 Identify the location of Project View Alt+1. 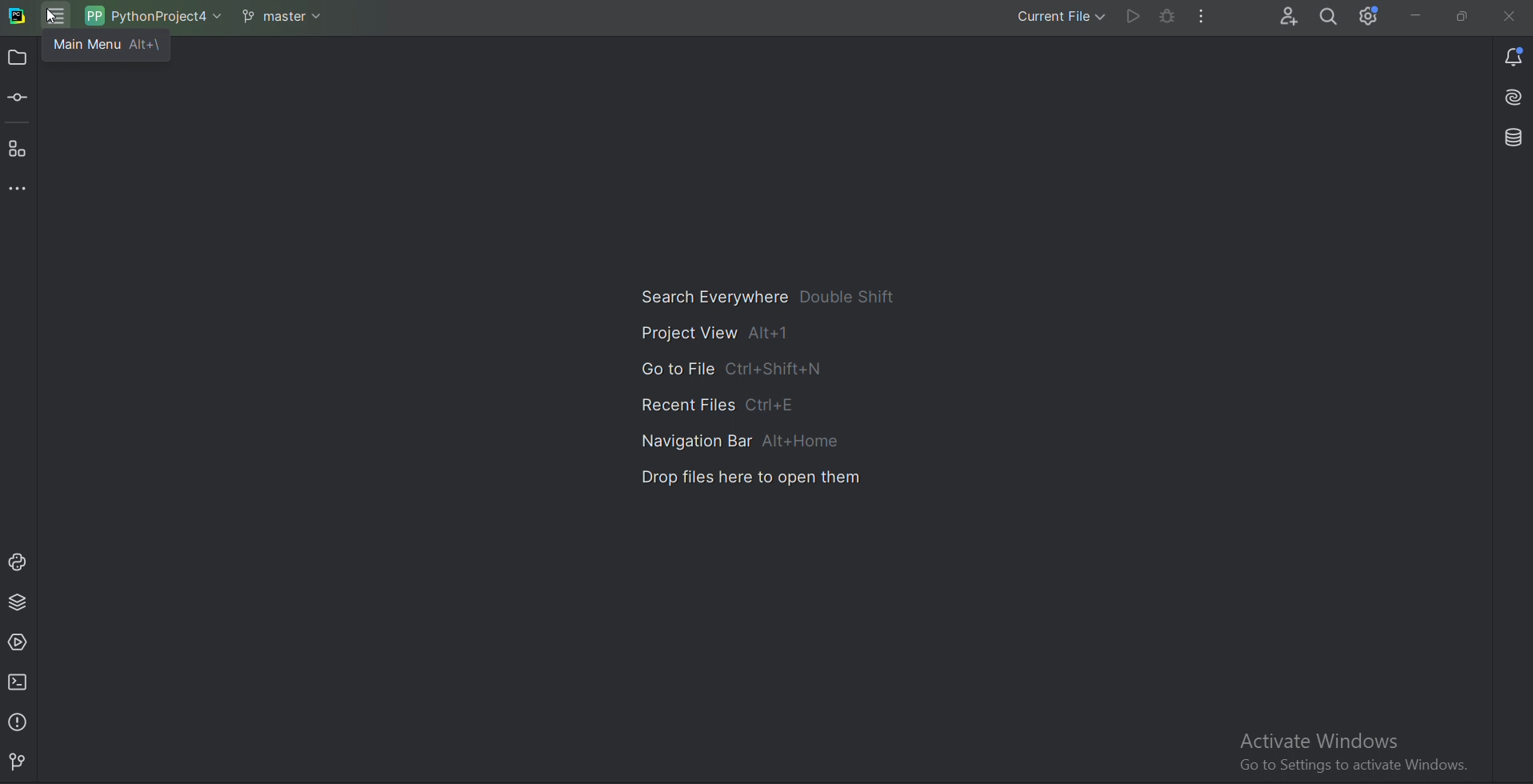
(723, 334).